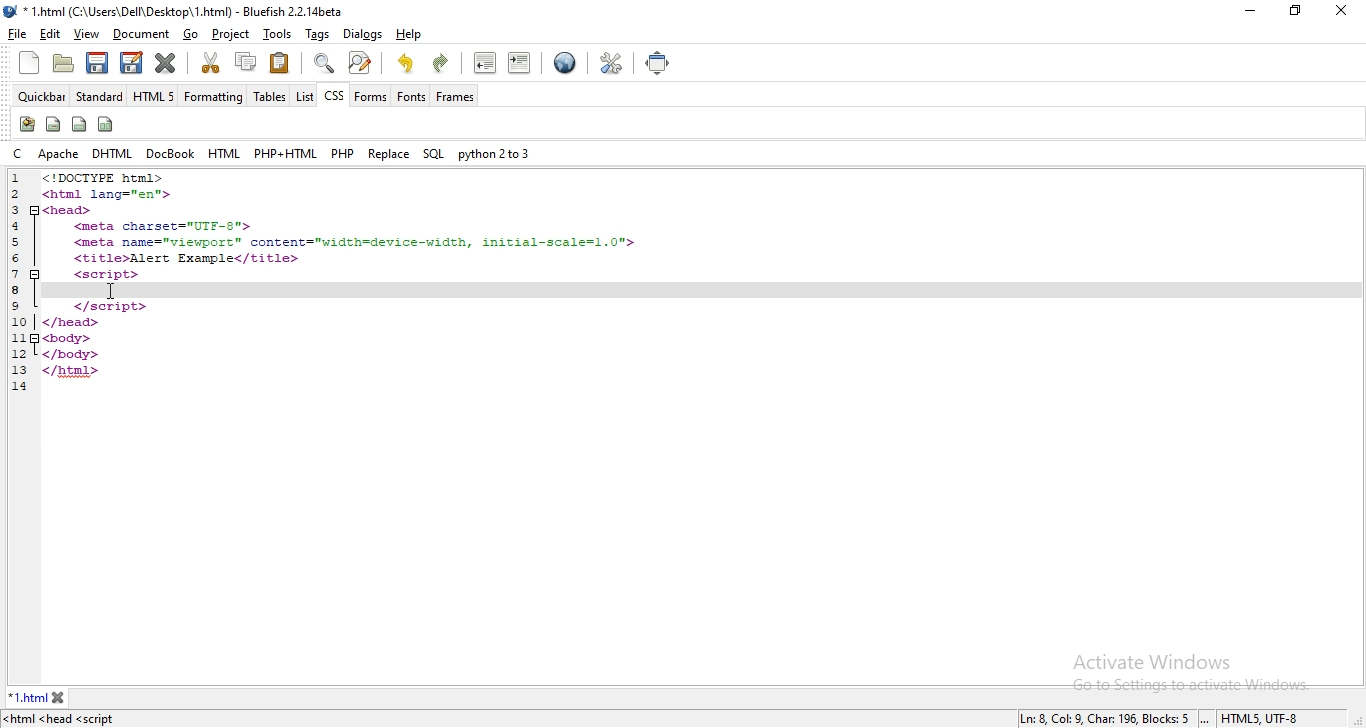 This screenshot has height=728, width=1366. I want to click on dhtml, so click(114, 151).